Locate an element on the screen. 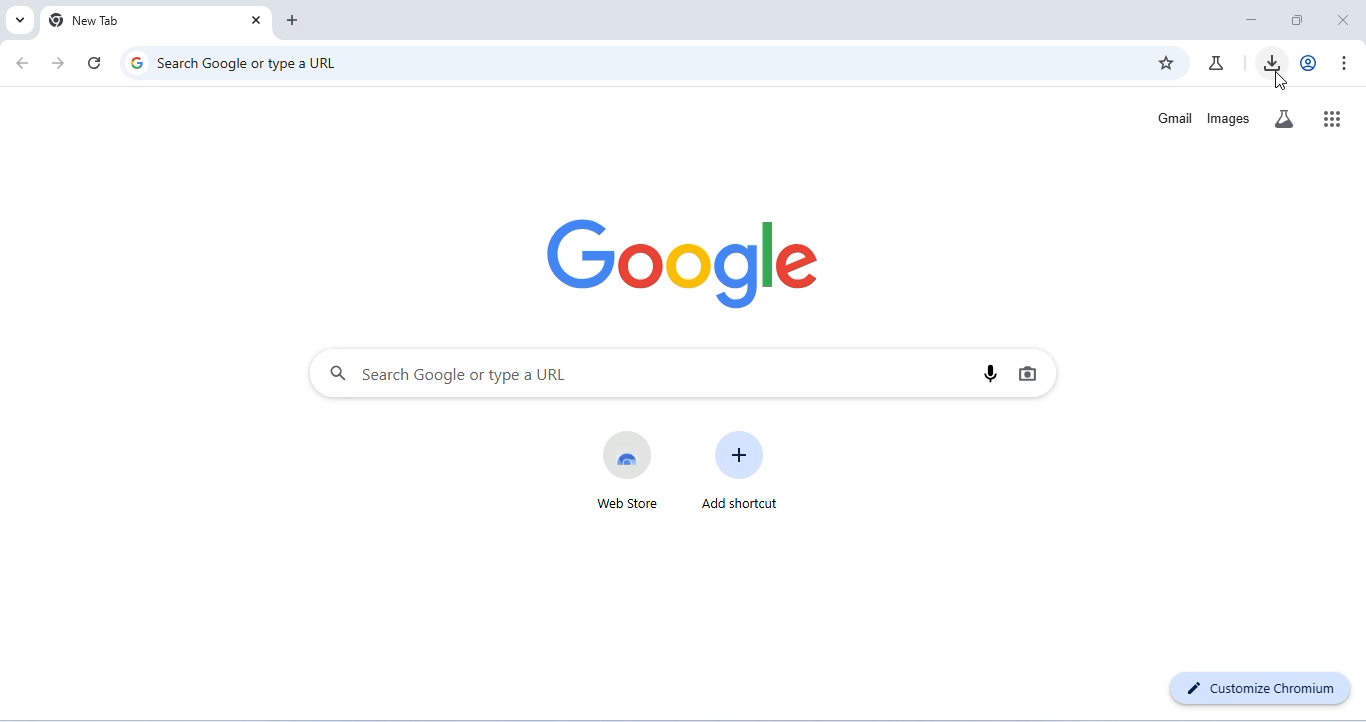 This screenshot has height=722, width=1366. customize or control chromium is located at coordinates (1343, 61).